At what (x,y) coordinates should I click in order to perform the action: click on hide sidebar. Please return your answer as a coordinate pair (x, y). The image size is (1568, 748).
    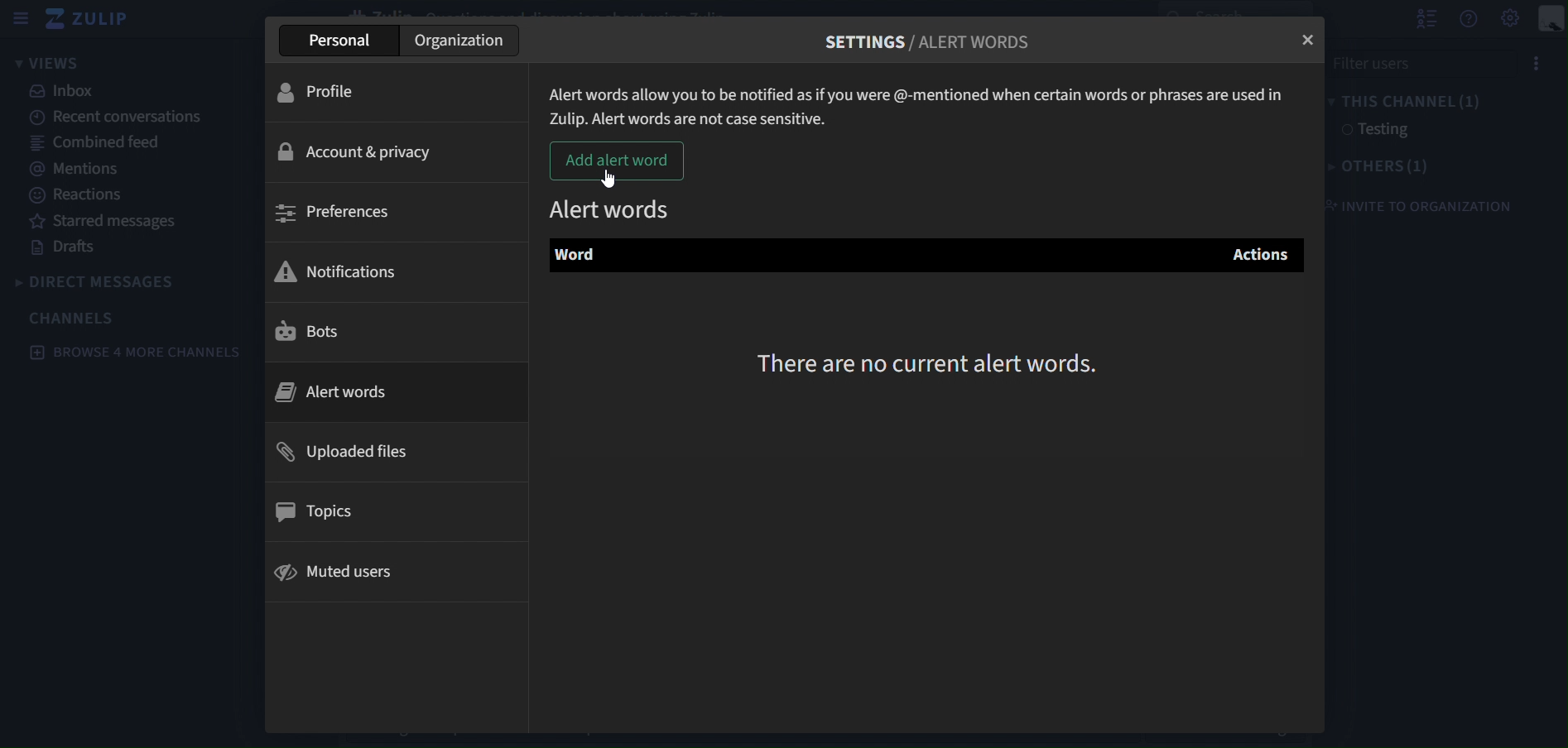
    Looking at the image, I should click on (22, 21).